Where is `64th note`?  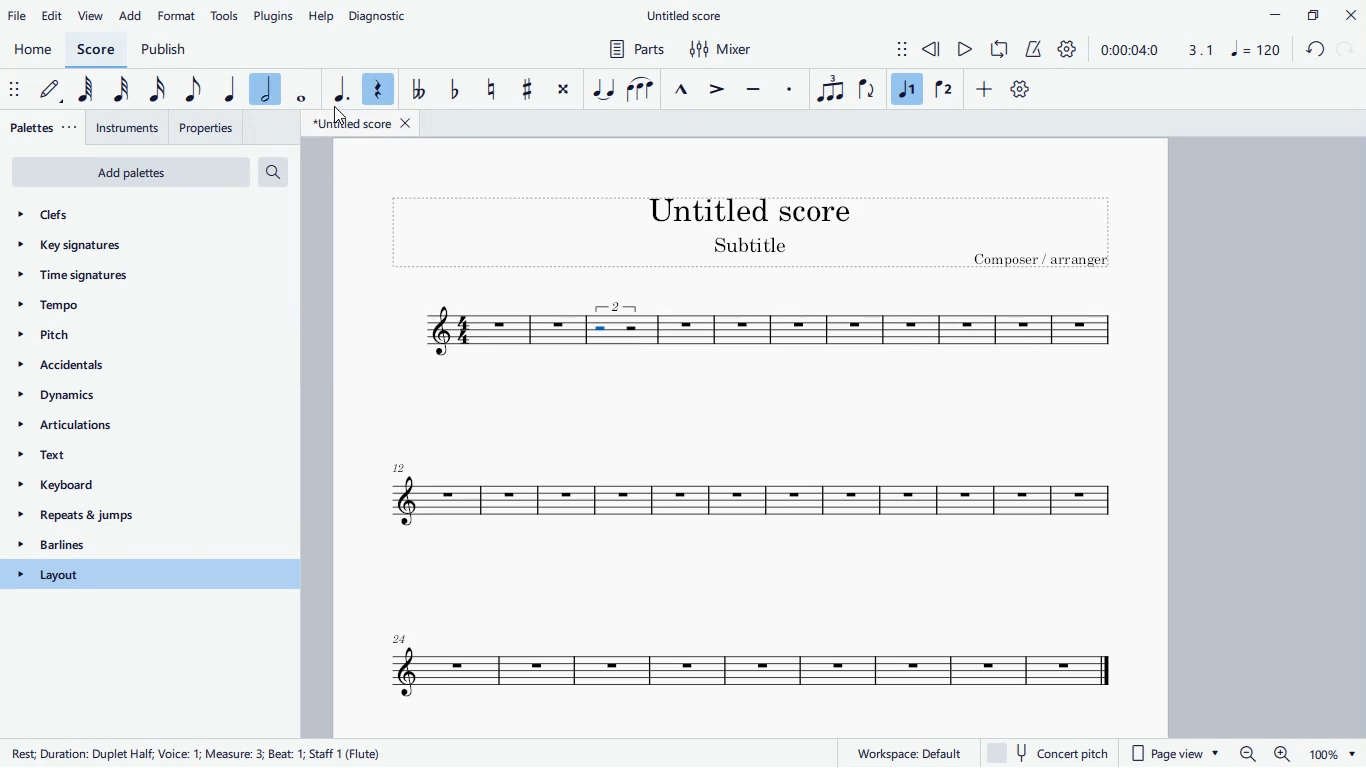
64th note is located at coordinates (91, 92).